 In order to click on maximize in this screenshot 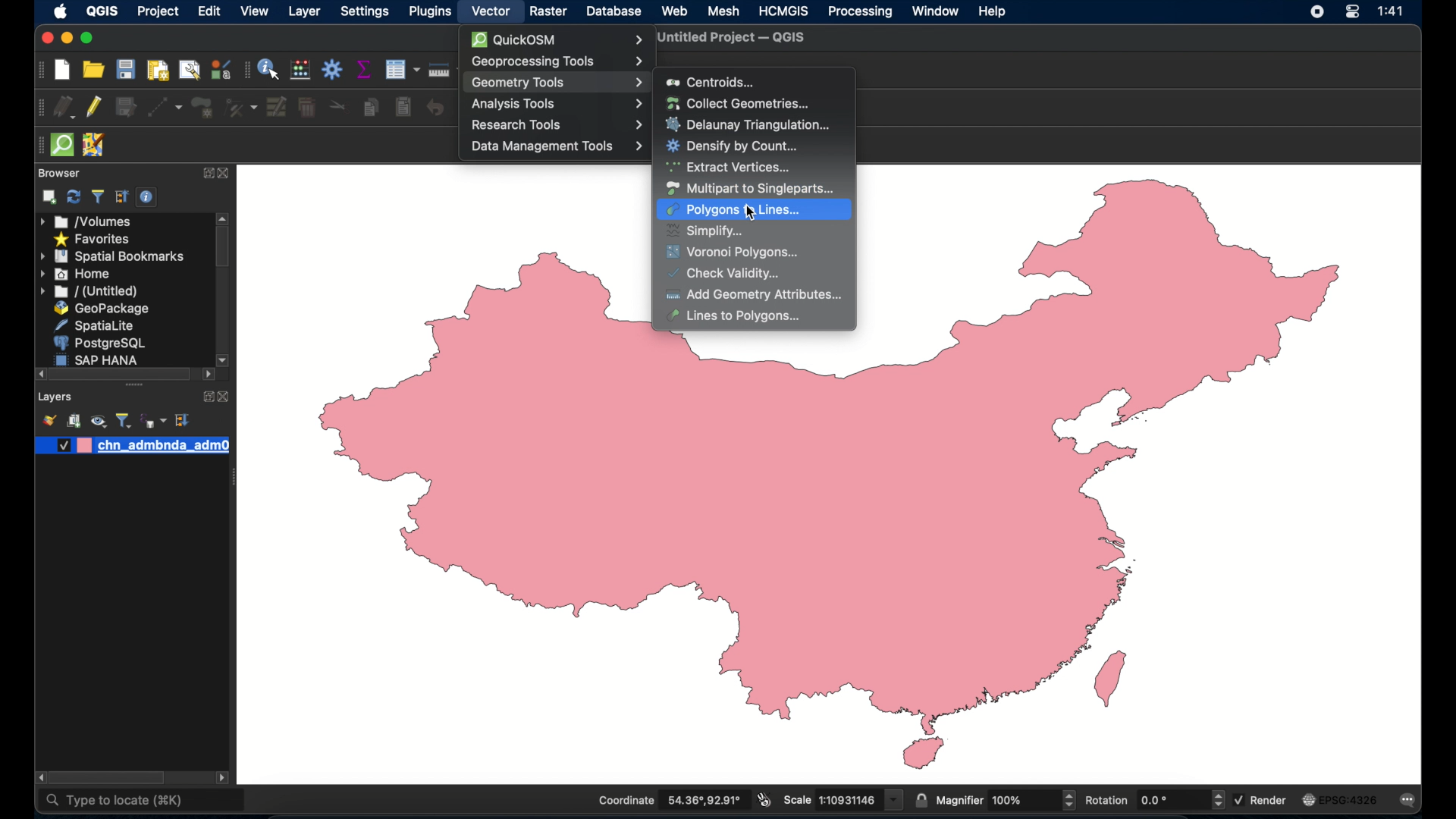, I will do `click(89, 38)`.